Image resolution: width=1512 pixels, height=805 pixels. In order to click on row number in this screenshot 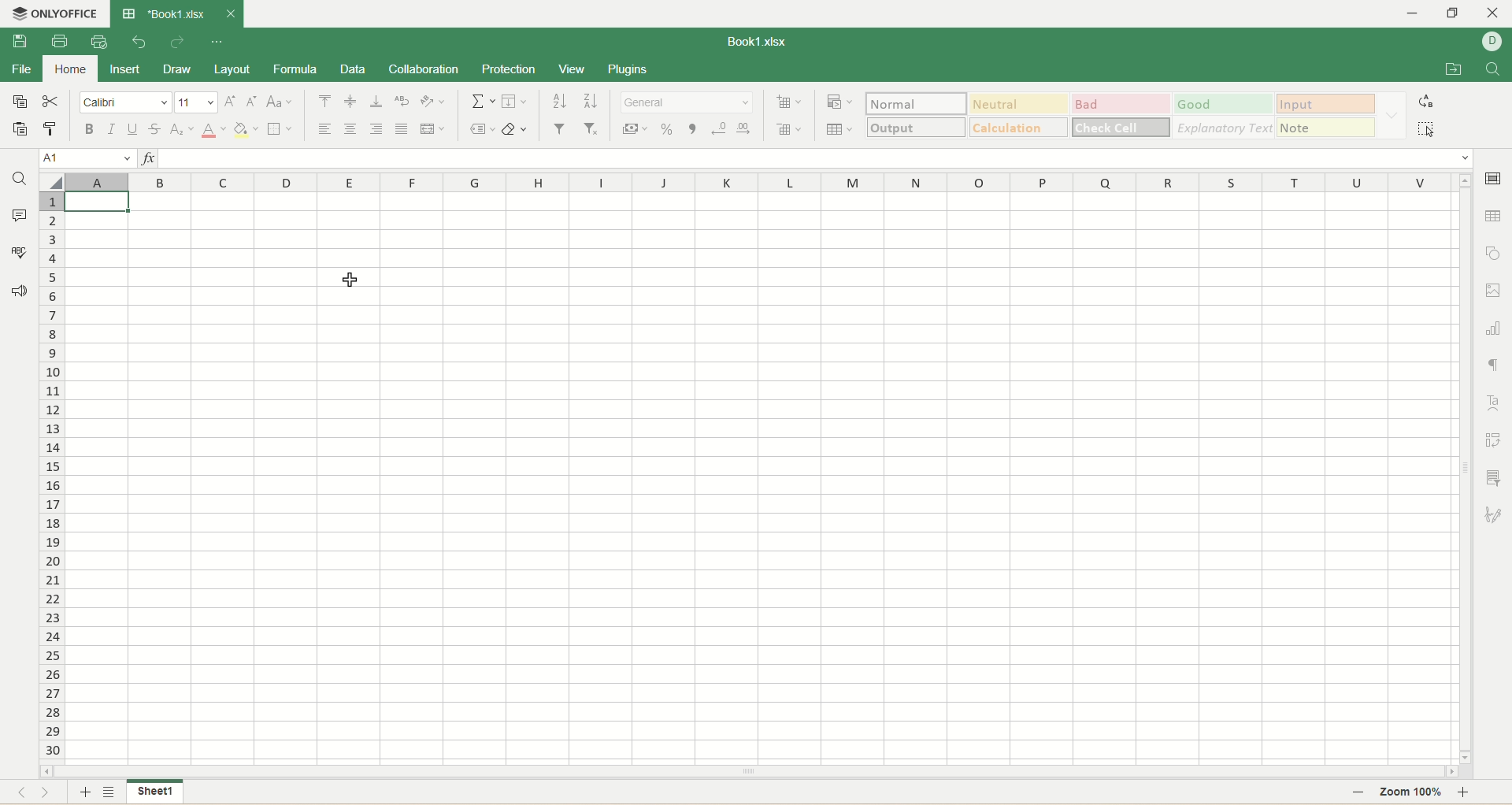, I will do `click(54, 474)`.